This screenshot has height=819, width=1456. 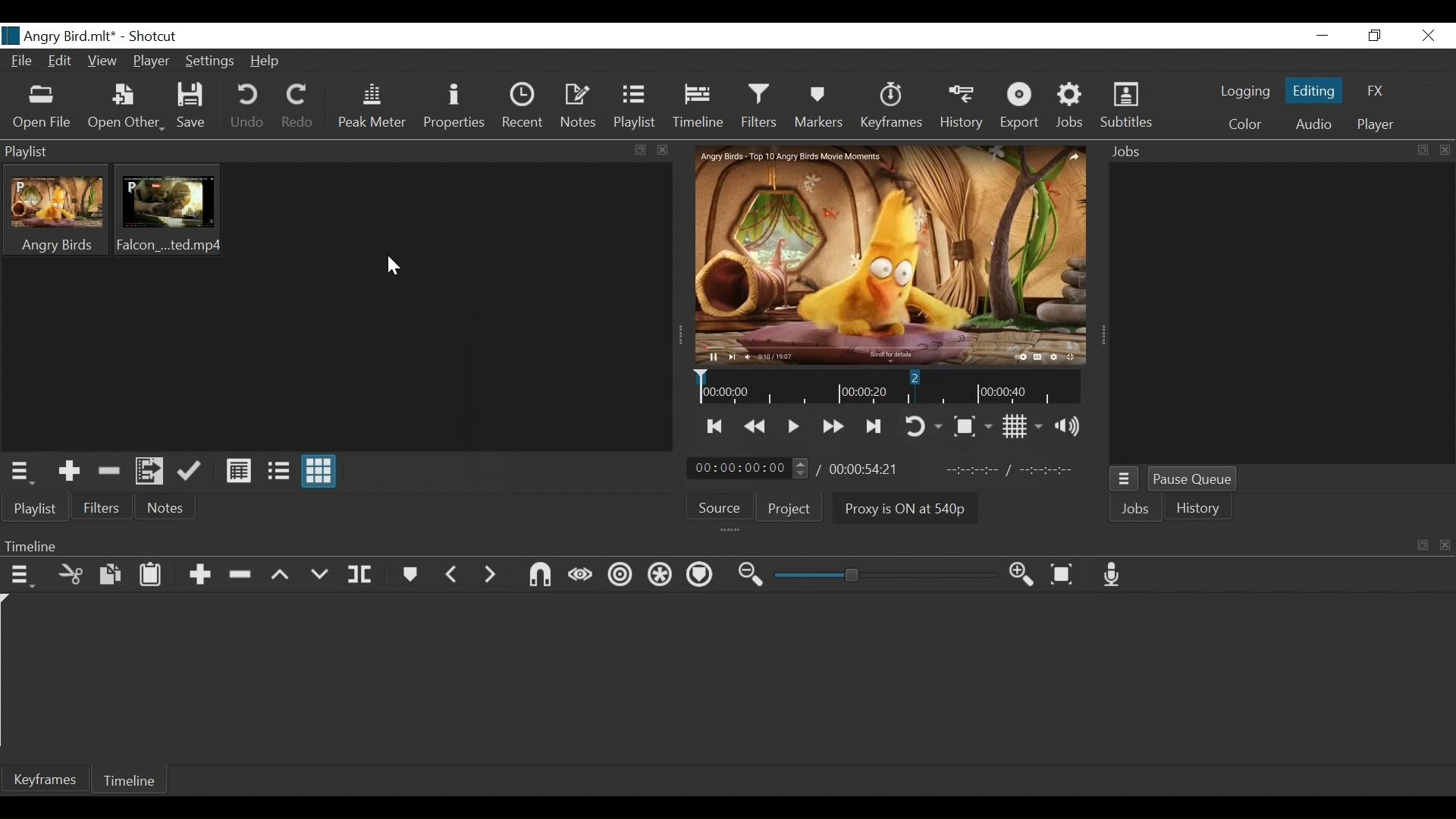 What do you see at coordinates (1013, 471) in the screenshot?
I see `In point` at bounding box center [1013, 471].